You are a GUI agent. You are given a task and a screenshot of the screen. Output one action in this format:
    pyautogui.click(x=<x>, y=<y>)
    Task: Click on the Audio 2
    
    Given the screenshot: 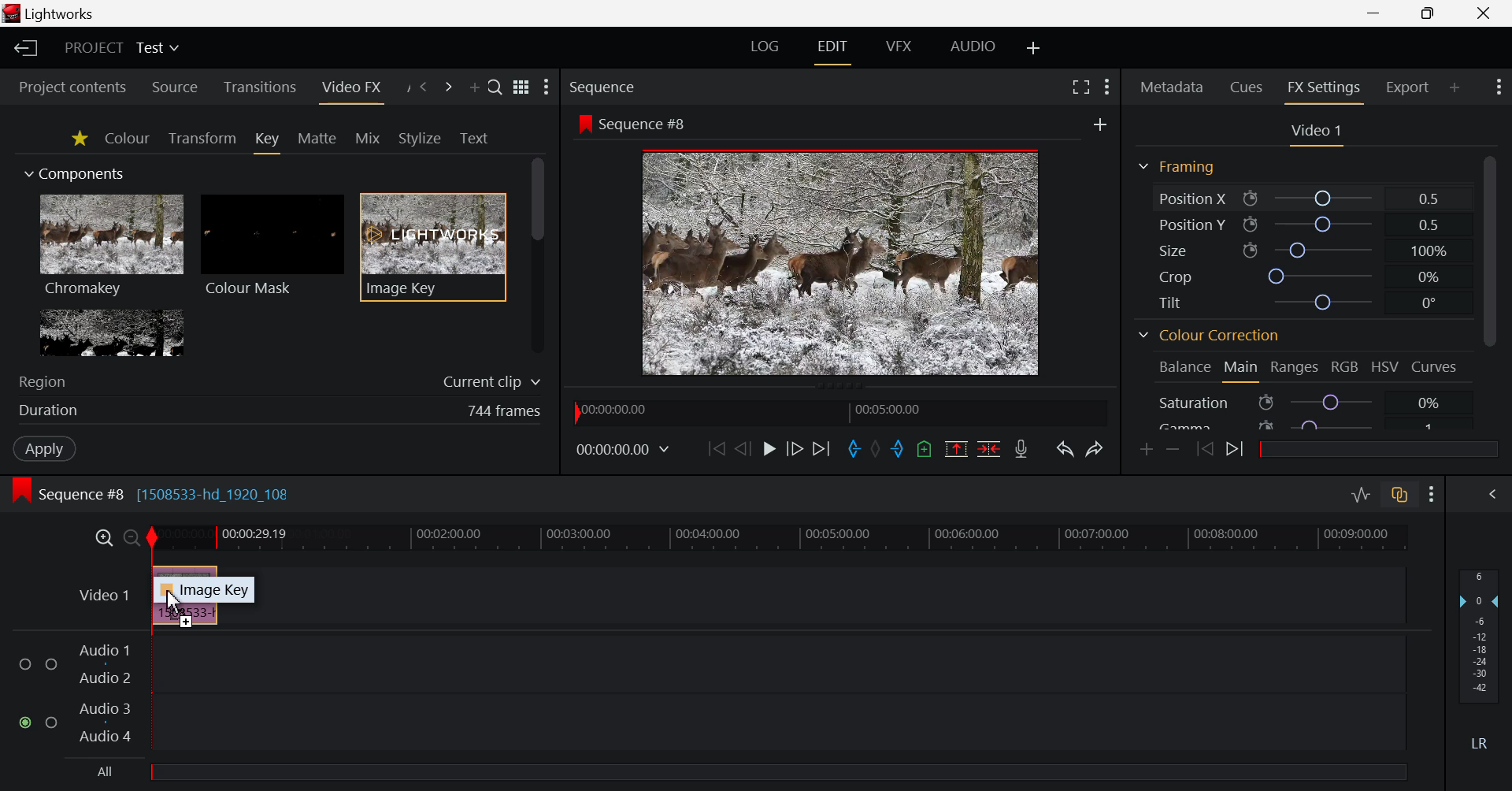 What is the action you would take?
    pyautogui.click(x=103, y=678)
    